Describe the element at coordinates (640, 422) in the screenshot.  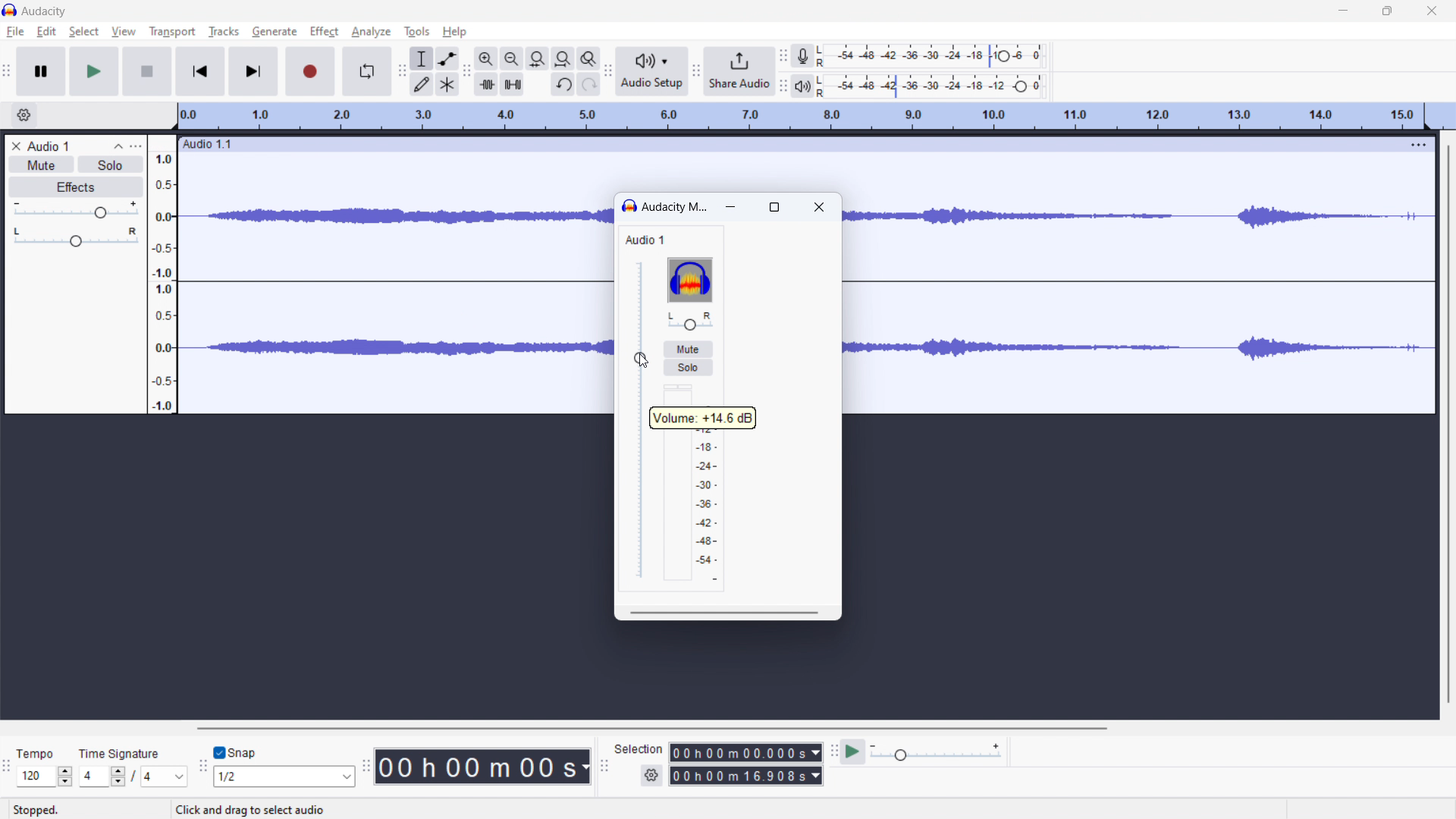
I see `slider bead` at that location.